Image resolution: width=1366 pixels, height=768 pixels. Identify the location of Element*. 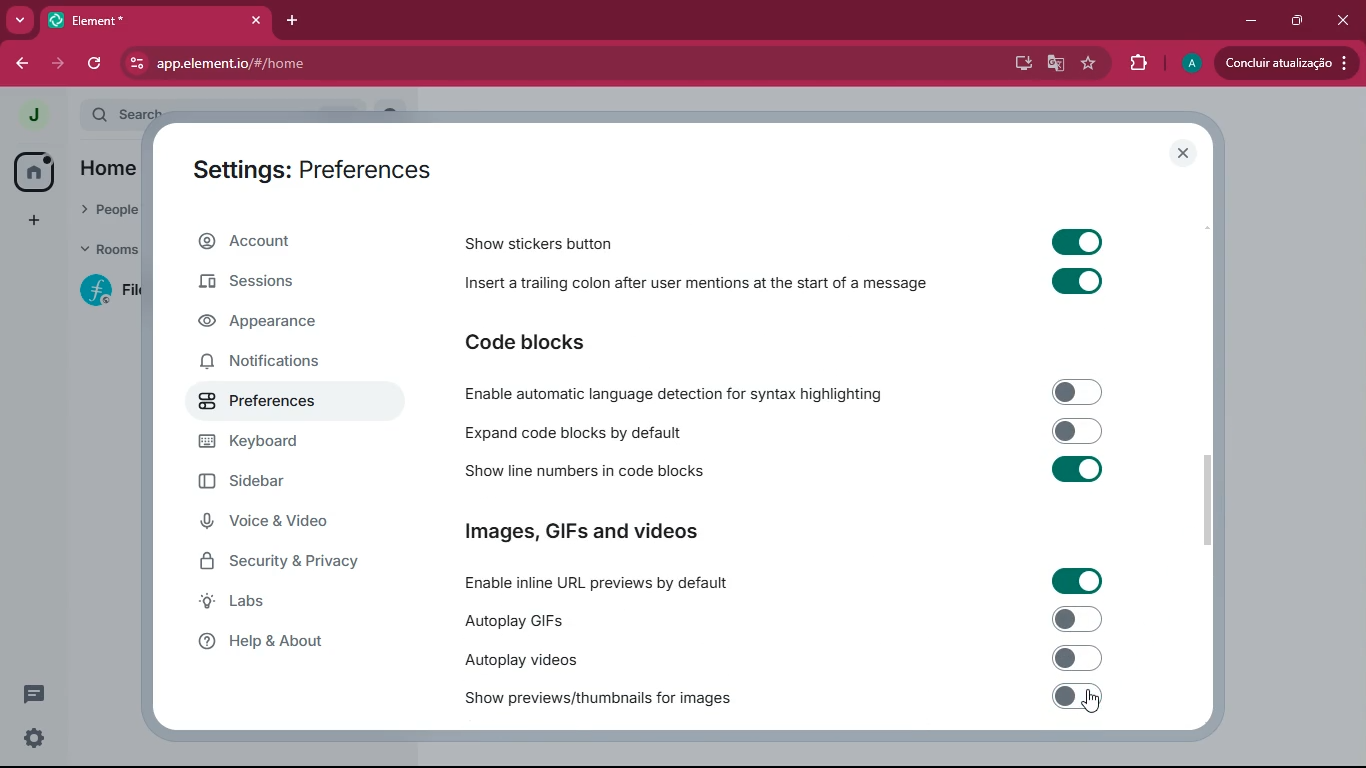
(127, 20).